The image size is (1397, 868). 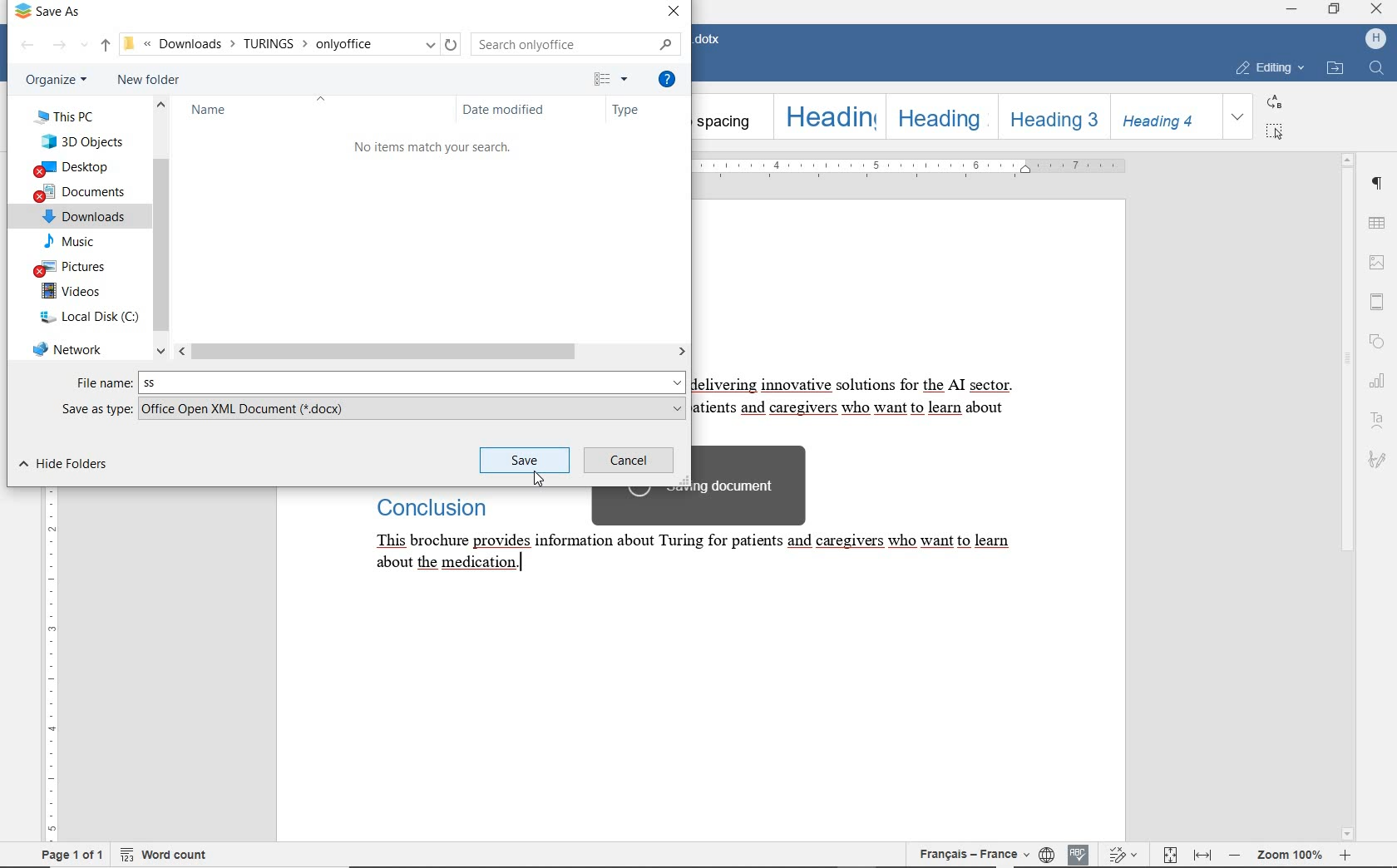 I want to click on DOCUMENTS, so click(x=81, y=193).